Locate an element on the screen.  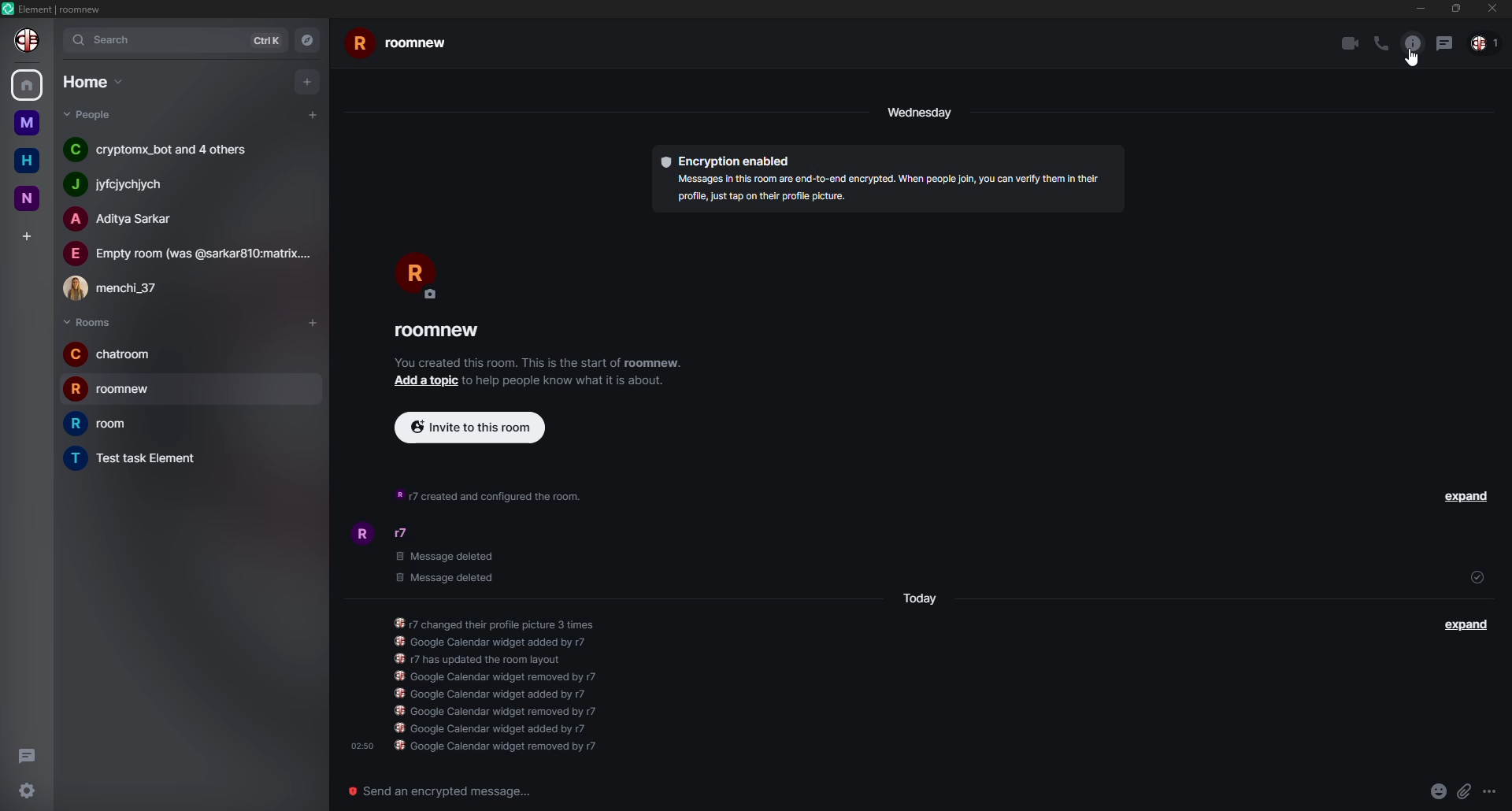
info is located at coordinates (887, 189).